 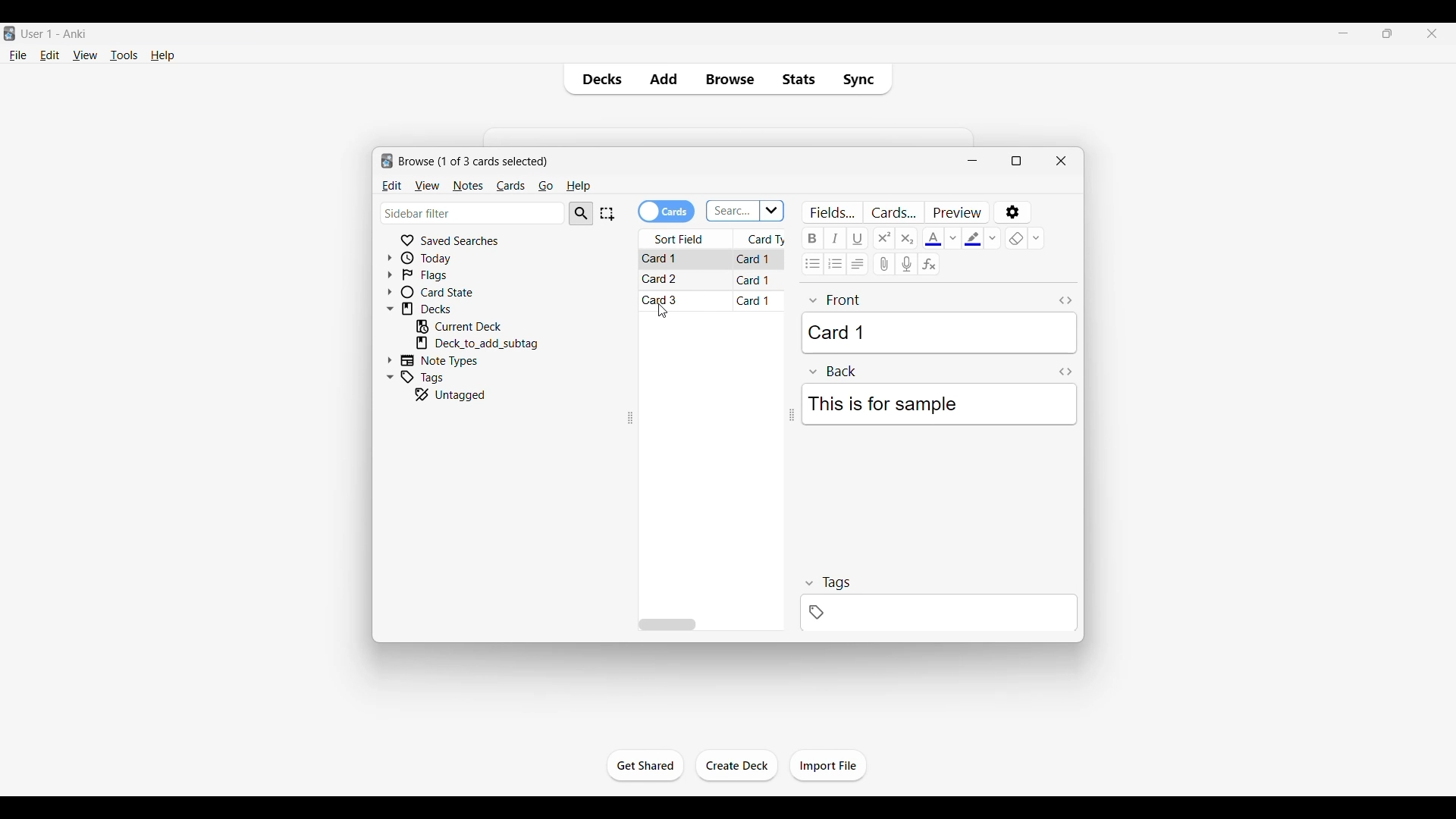 I want to click on Edit menu, so click(x=392, y=187).